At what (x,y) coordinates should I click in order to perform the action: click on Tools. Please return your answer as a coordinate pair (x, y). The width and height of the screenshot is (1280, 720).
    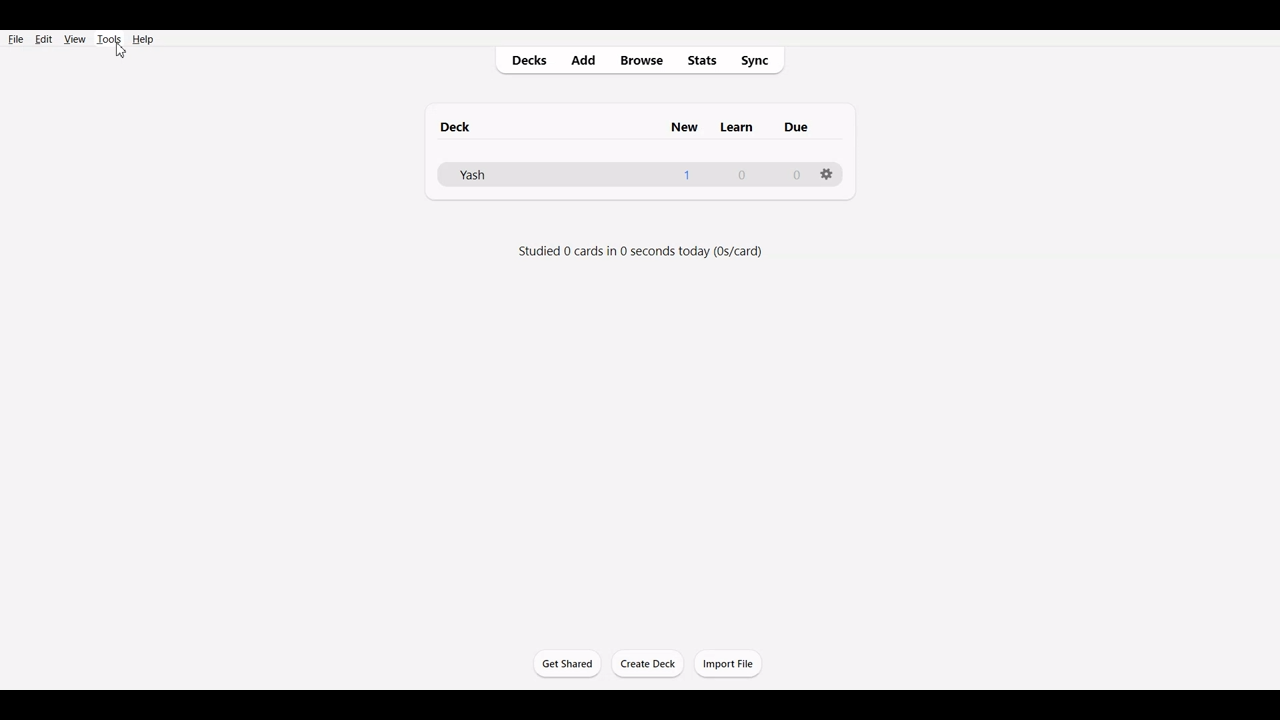
    Looking at the image, I should click on (108, 39).